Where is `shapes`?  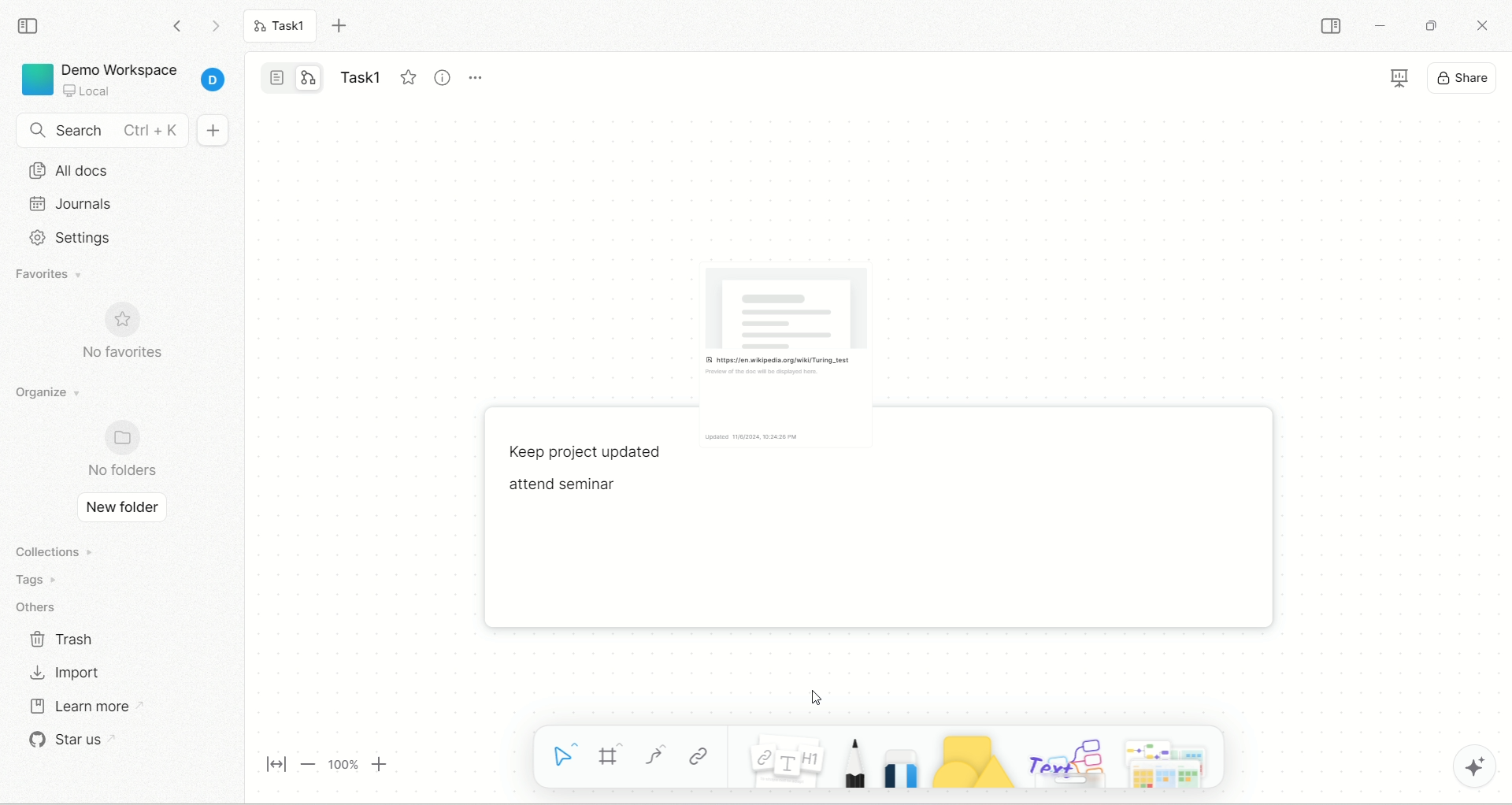
shapes is located at coordinates (972, 762).